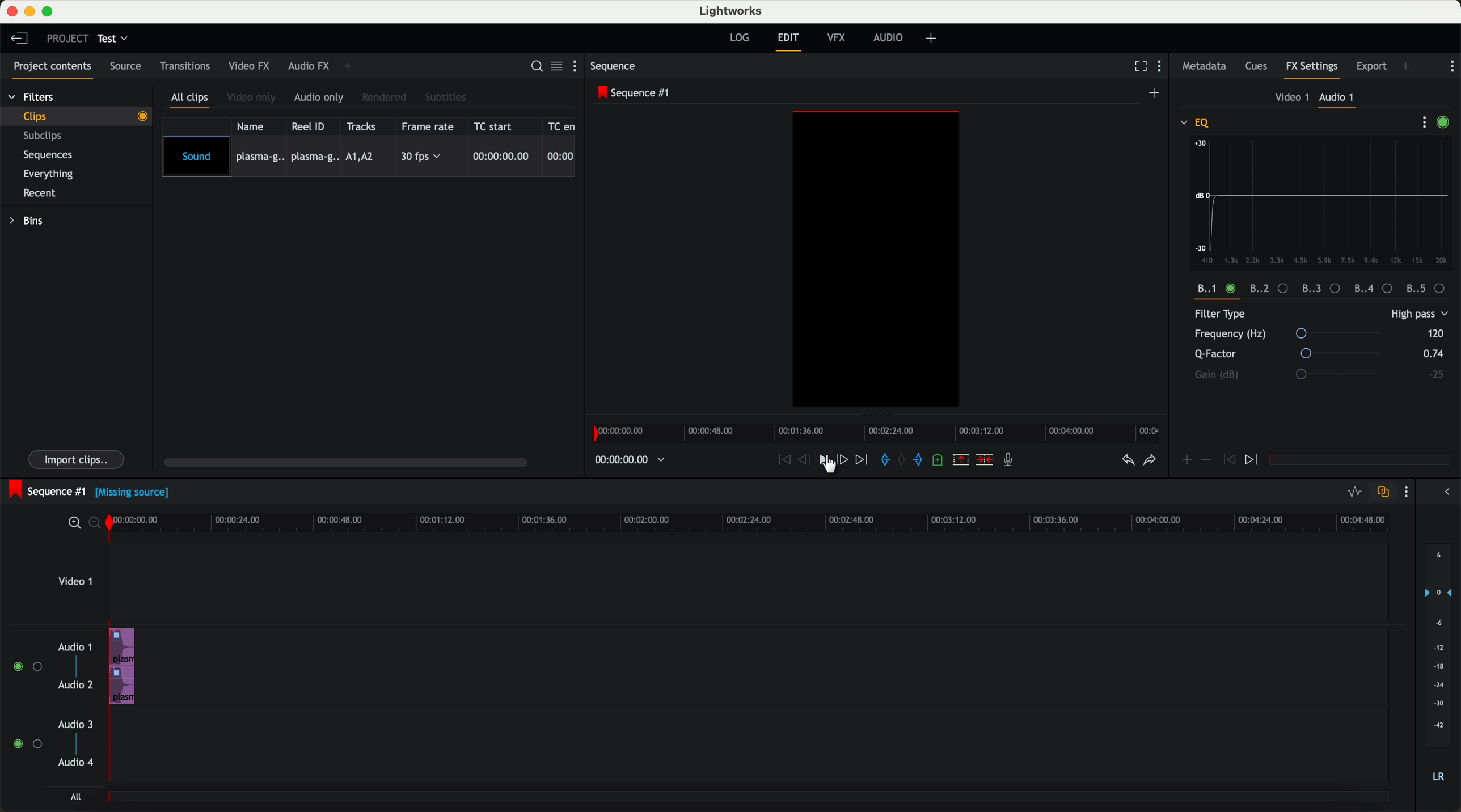 The height and width of the screenshot is (812, 1461). What do you see at coordinates (558, 67) in the screenshot?
I see `toggle between list and toggle view` at bounding box center [558, 67].